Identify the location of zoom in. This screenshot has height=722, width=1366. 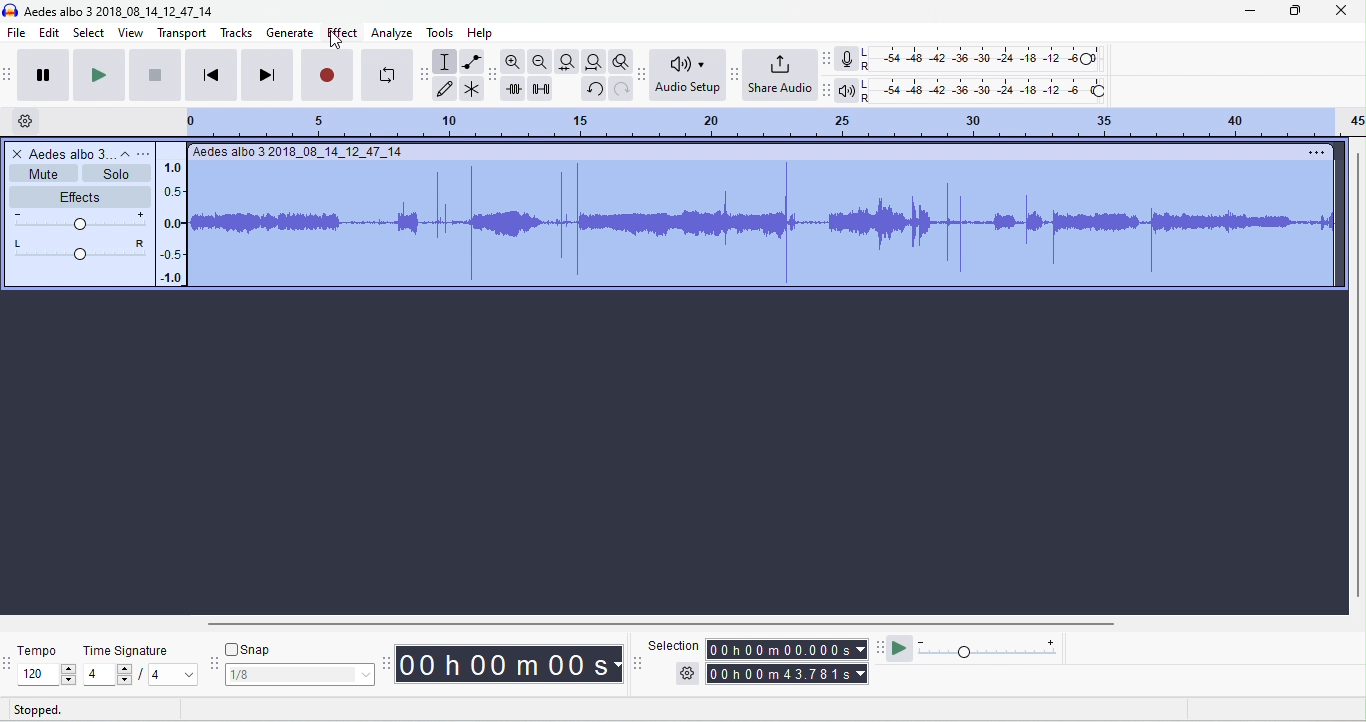
(512, 61).